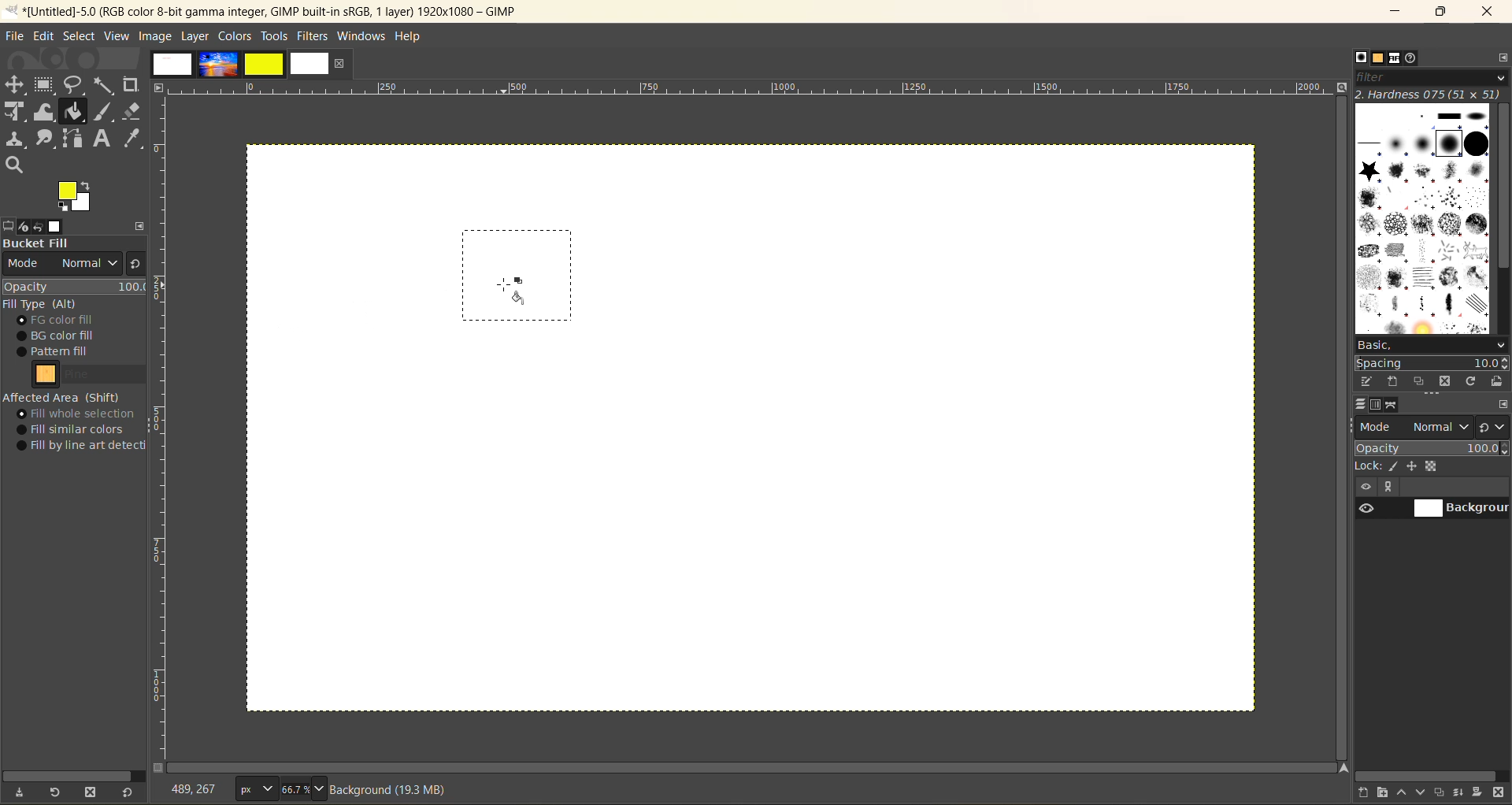  Describe the element at coordinates (1385, 793) in the screenshot. I see `create a new layer group` at that location.